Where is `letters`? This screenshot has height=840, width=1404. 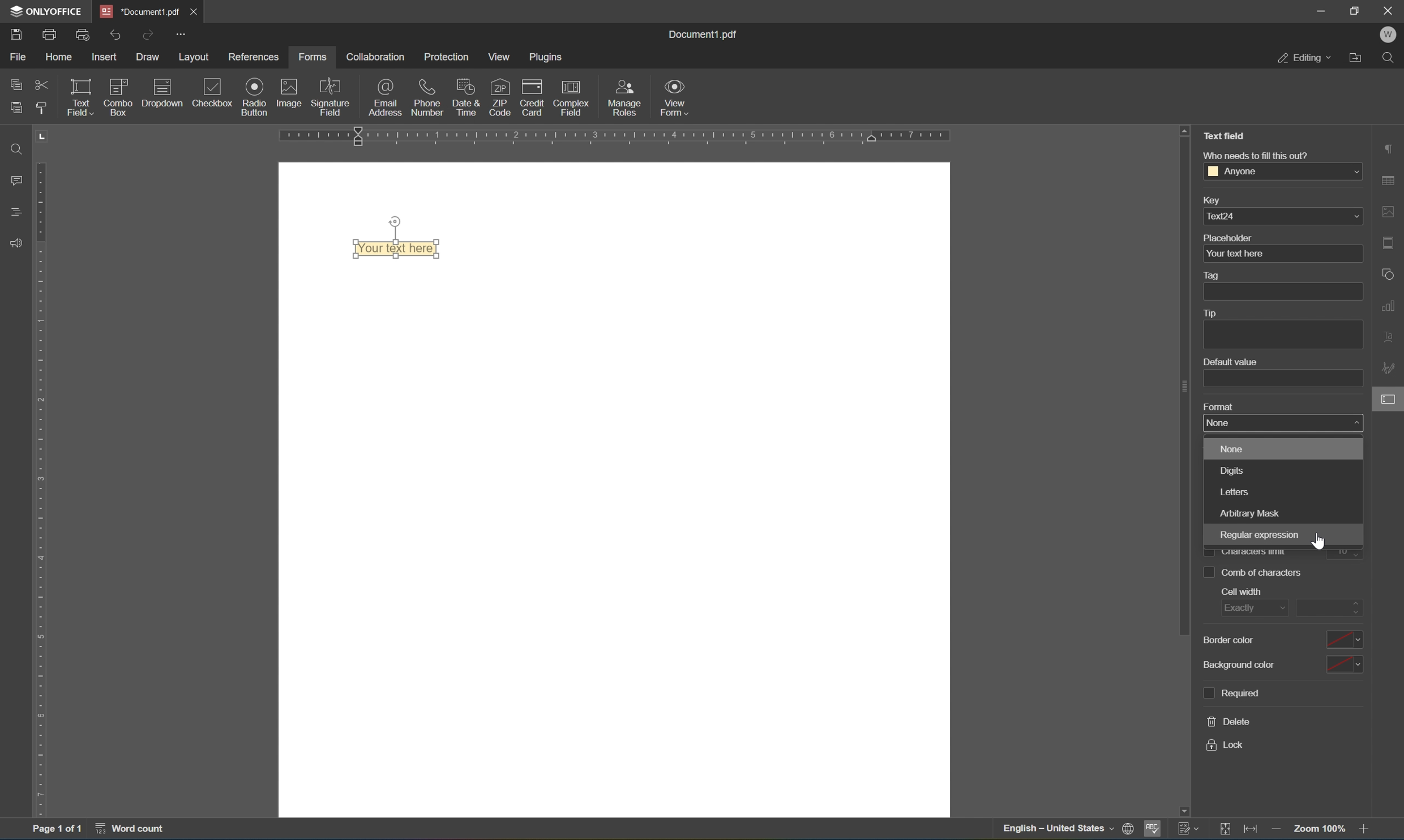
letters is located at coordinates (1284, 490).